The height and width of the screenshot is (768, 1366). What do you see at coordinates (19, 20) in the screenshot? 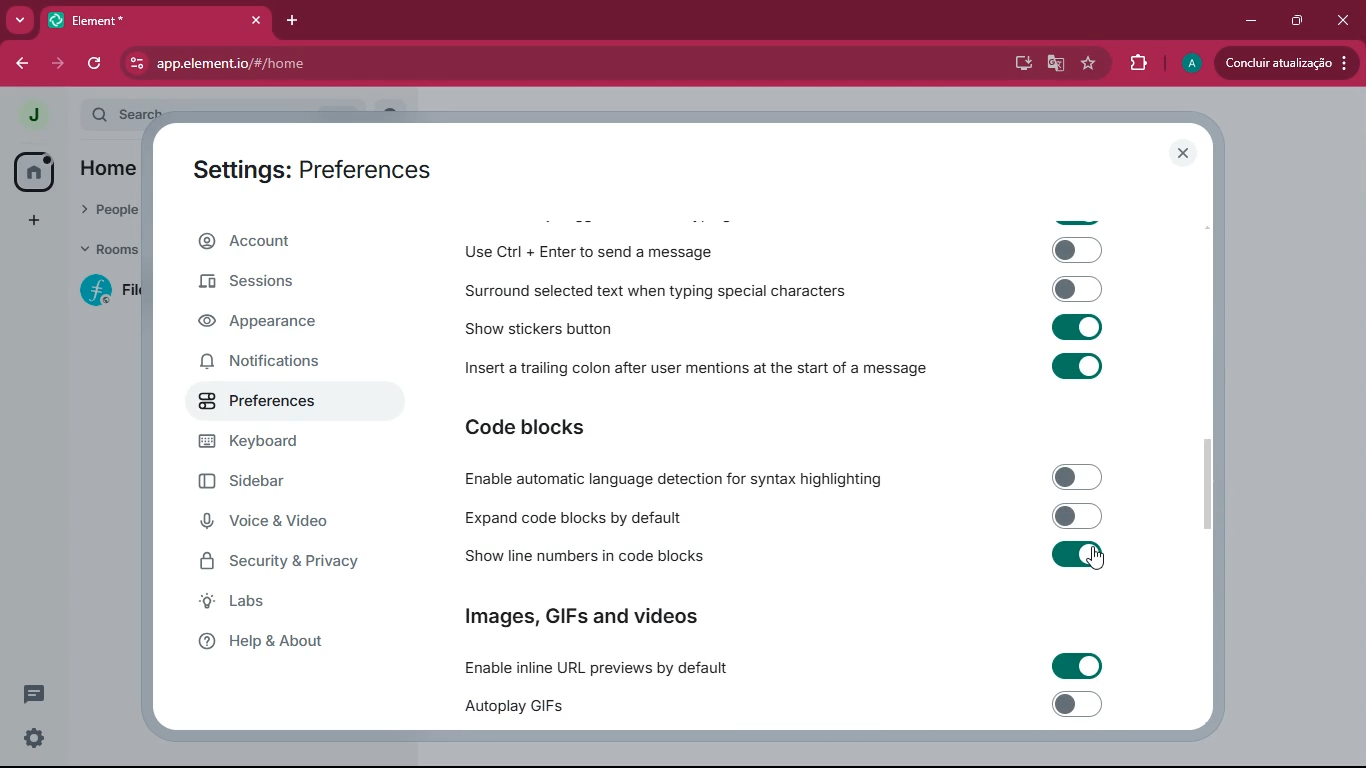
I see `more` at bounding box center [19, 20].